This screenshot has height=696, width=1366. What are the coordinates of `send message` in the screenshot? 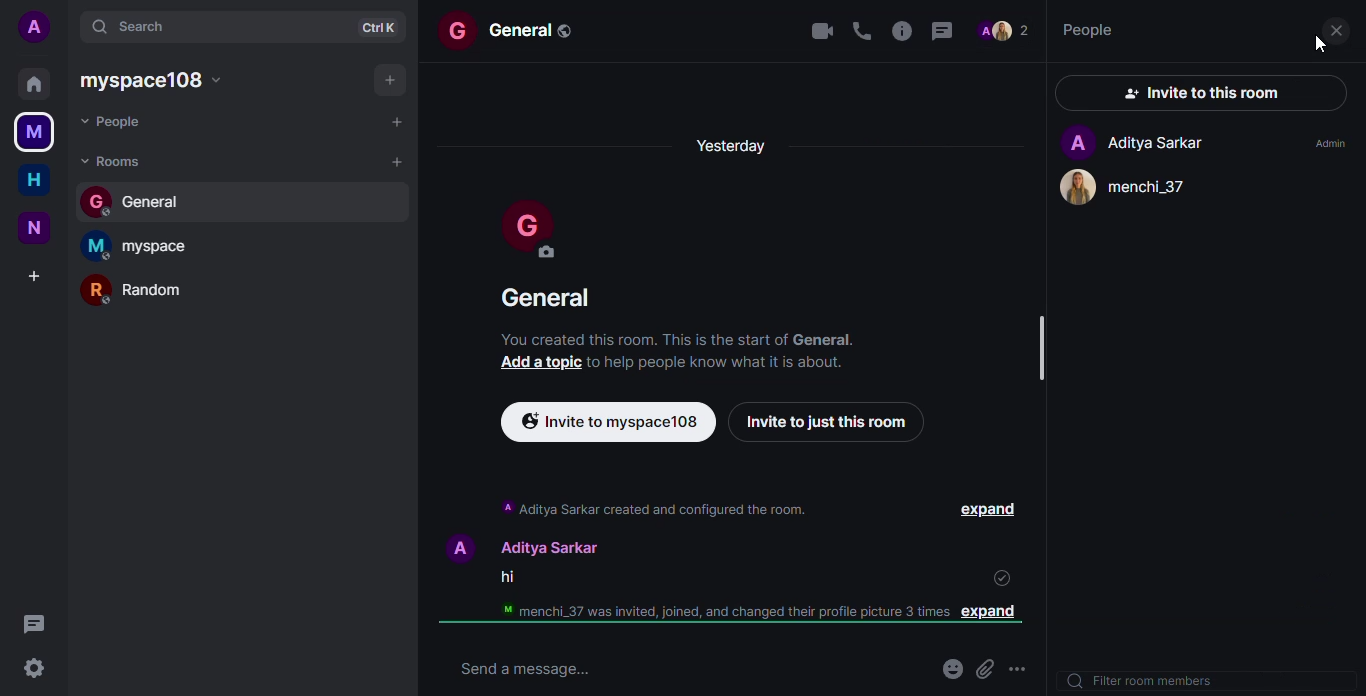 It's located at (549, 668).